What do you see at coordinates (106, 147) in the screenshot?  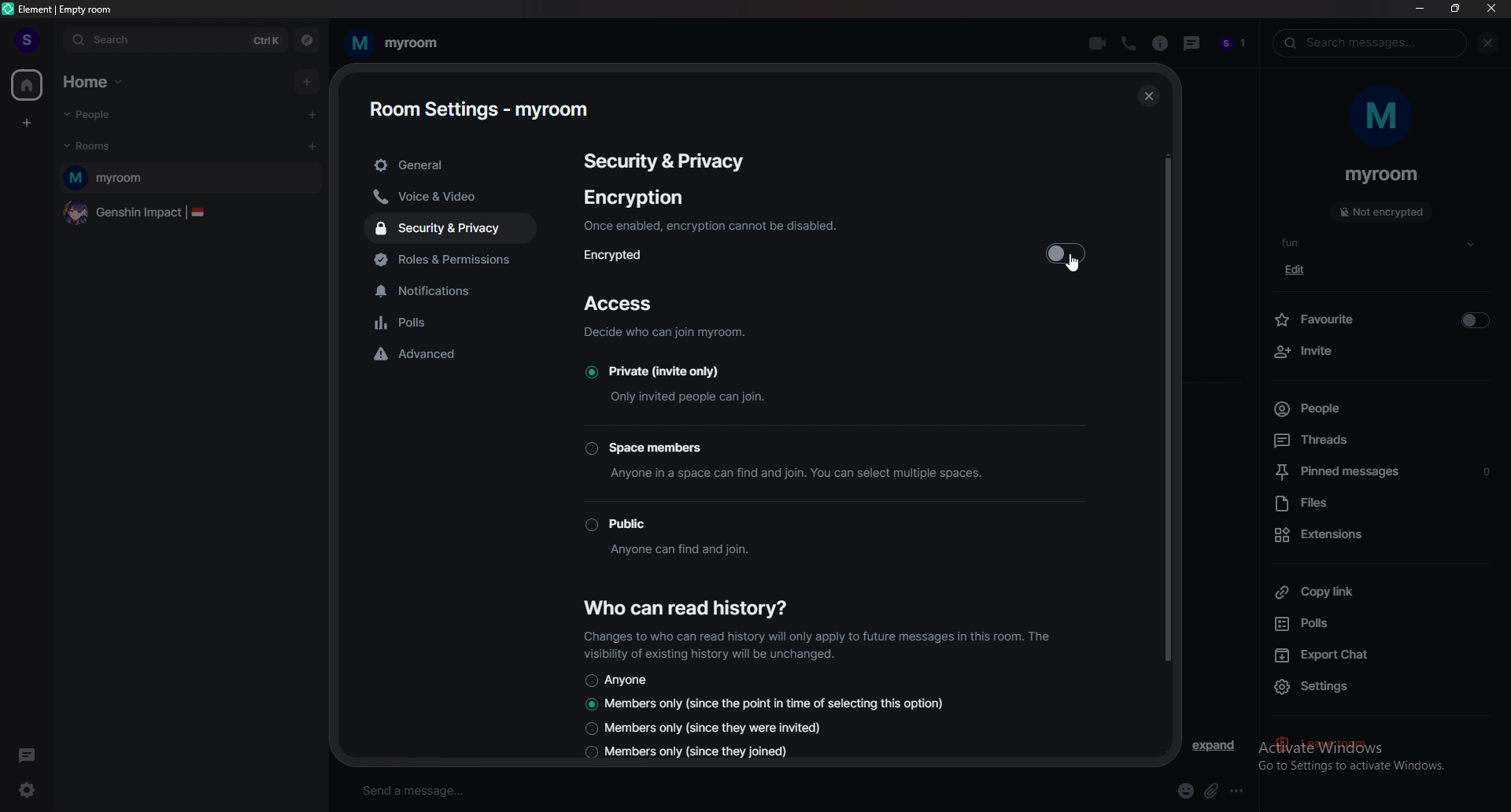 I see `rooms` at bounding box center [106, 147].